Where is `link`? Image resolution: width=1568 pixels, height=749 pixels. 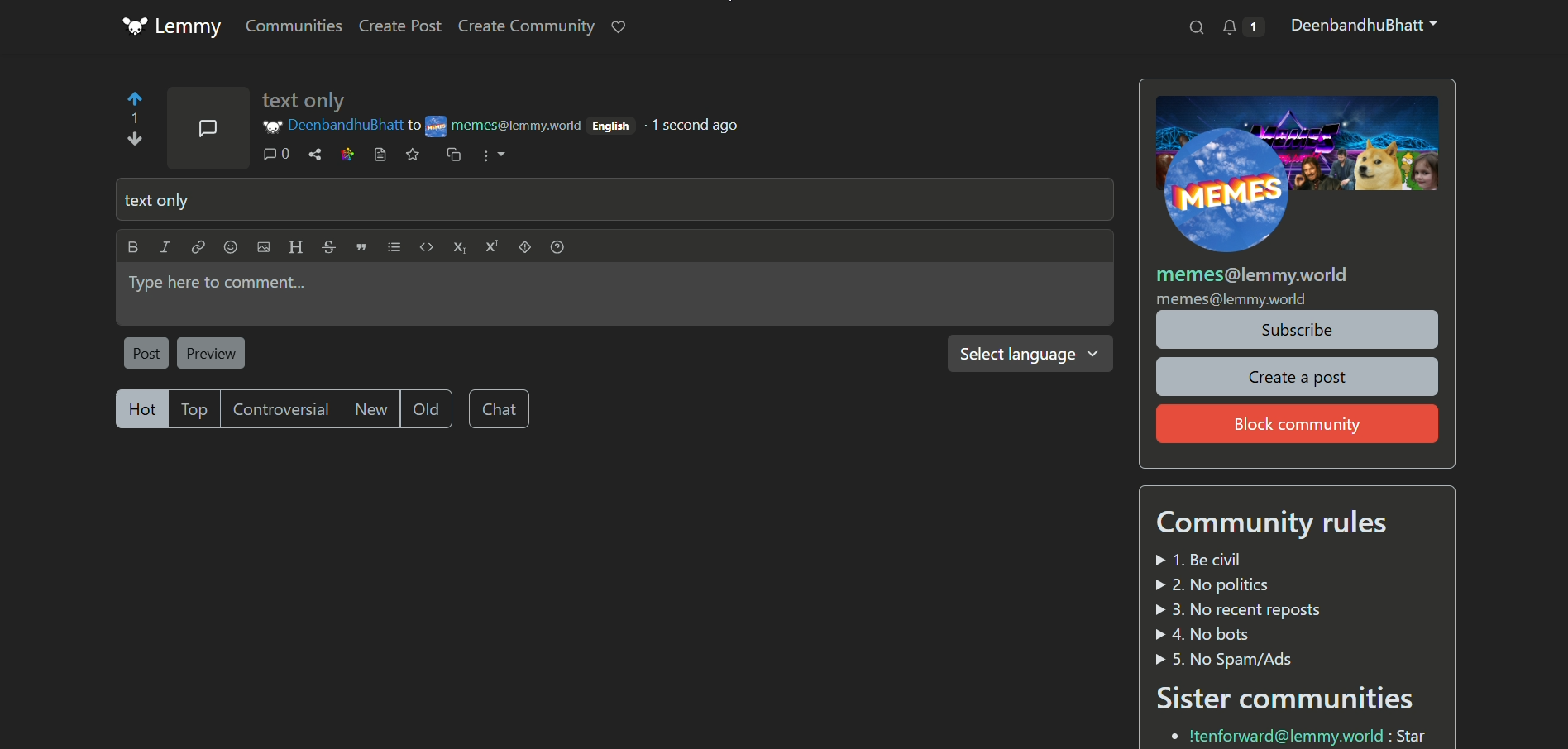
link is located at coordinates (198, 246).